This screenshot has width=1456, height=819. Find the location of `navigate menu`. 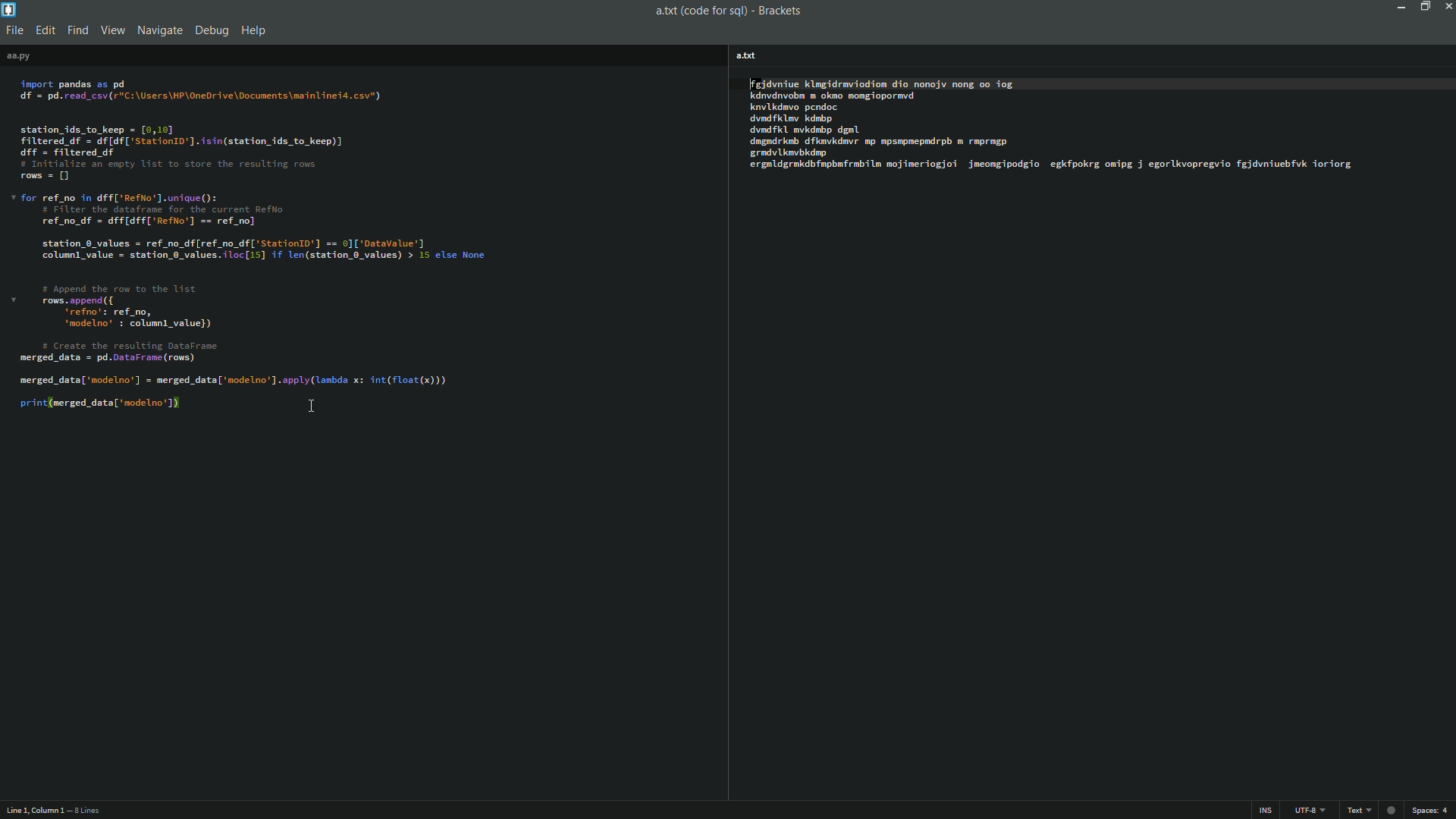

navigate menu is located at coordinates (161, 31).